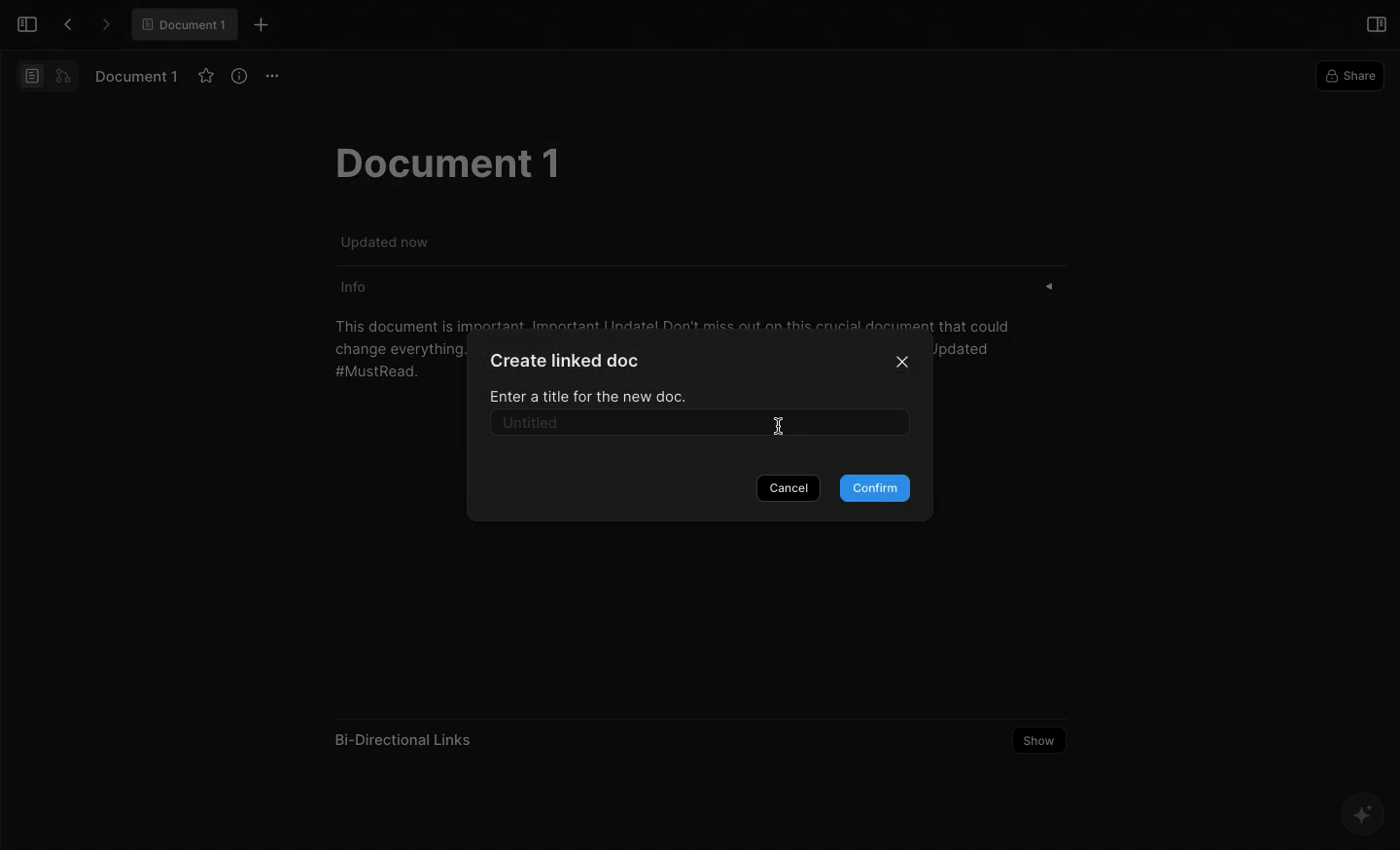  I want to click on New tab, so click(262, 26).